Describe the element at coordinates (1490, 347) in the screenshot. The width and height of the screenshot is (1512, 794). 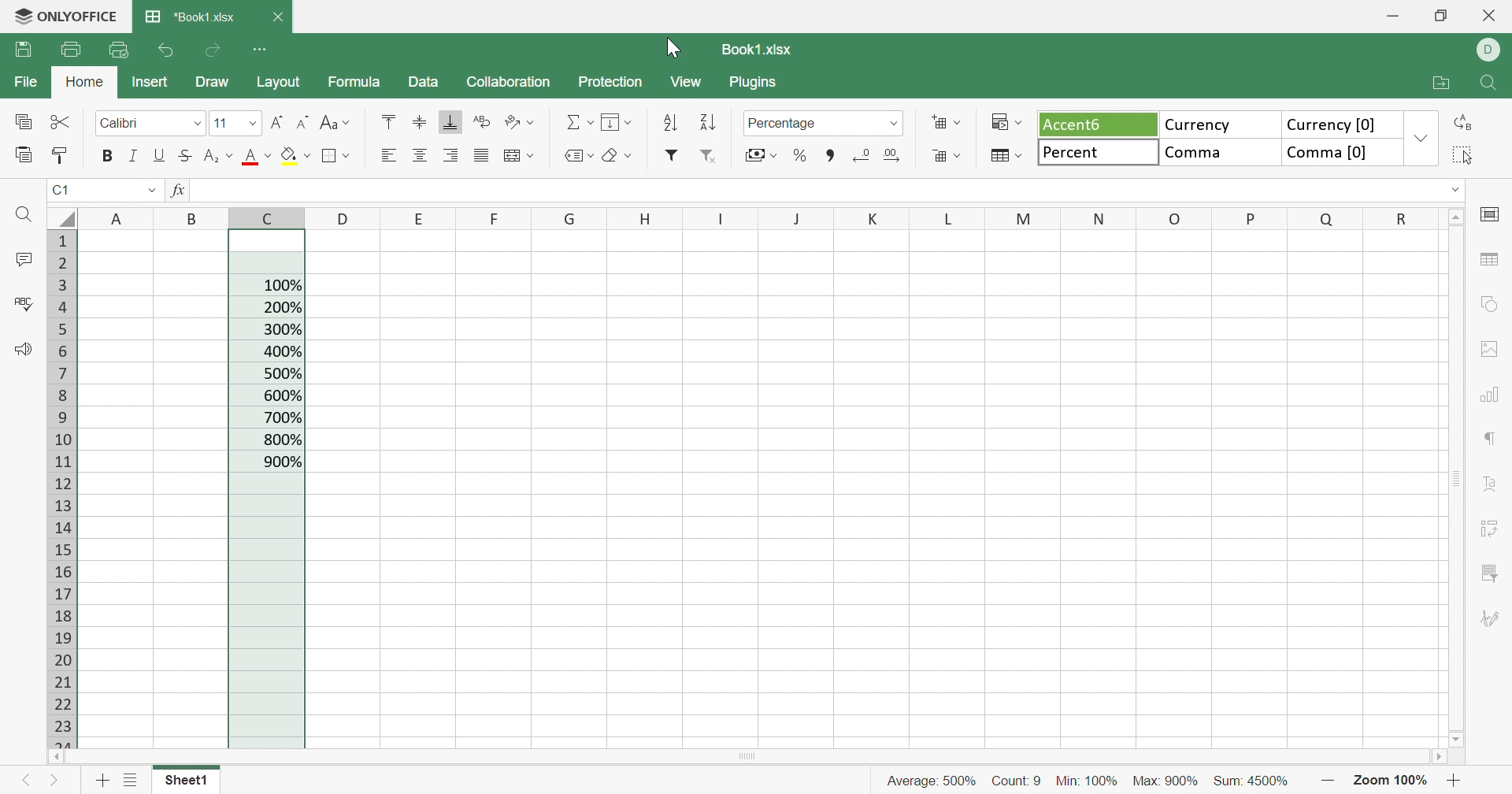
I see `Image settings` at that location.